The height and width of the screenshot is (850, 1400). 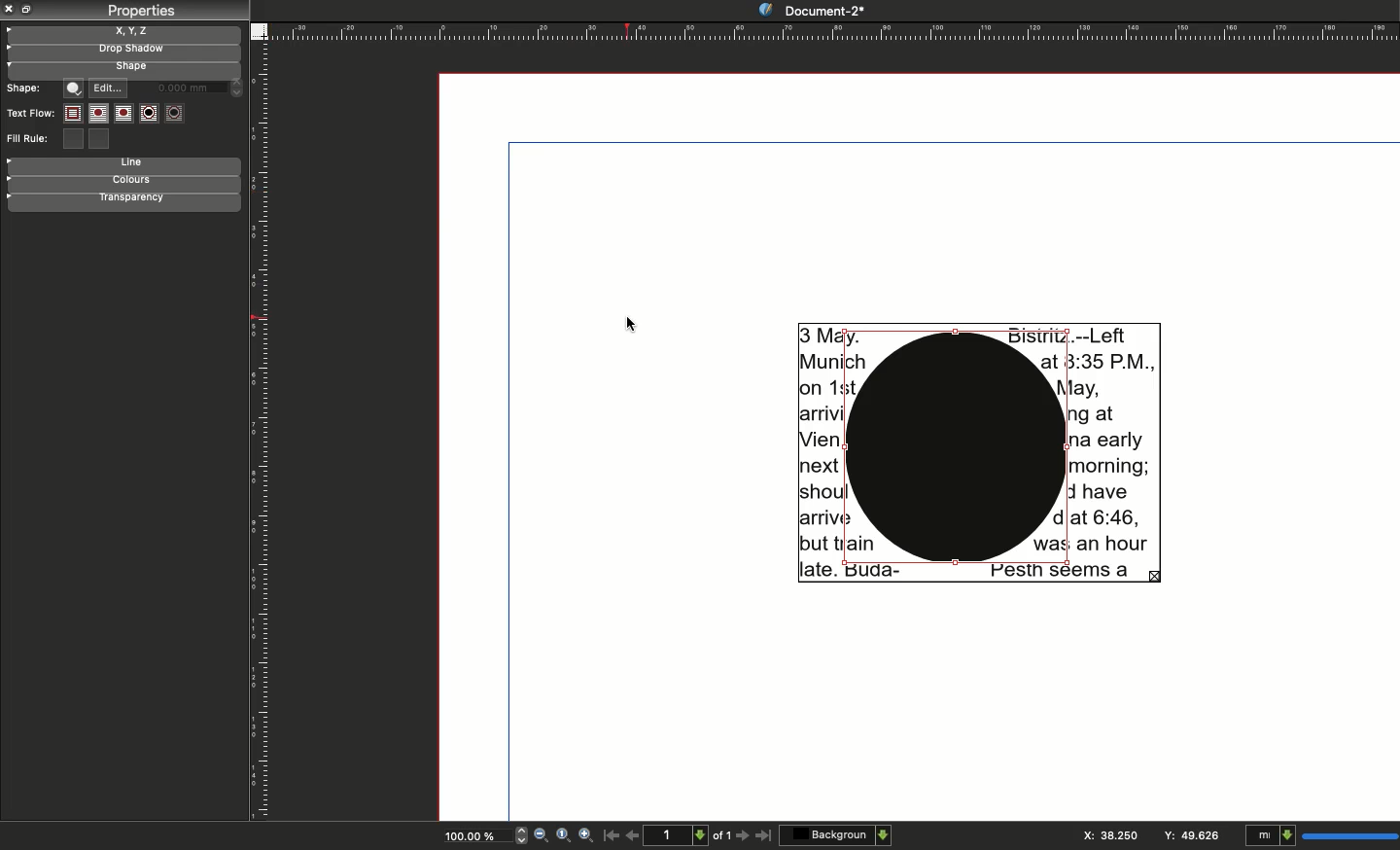 I want to click on Background, so click(x=835, y=834).